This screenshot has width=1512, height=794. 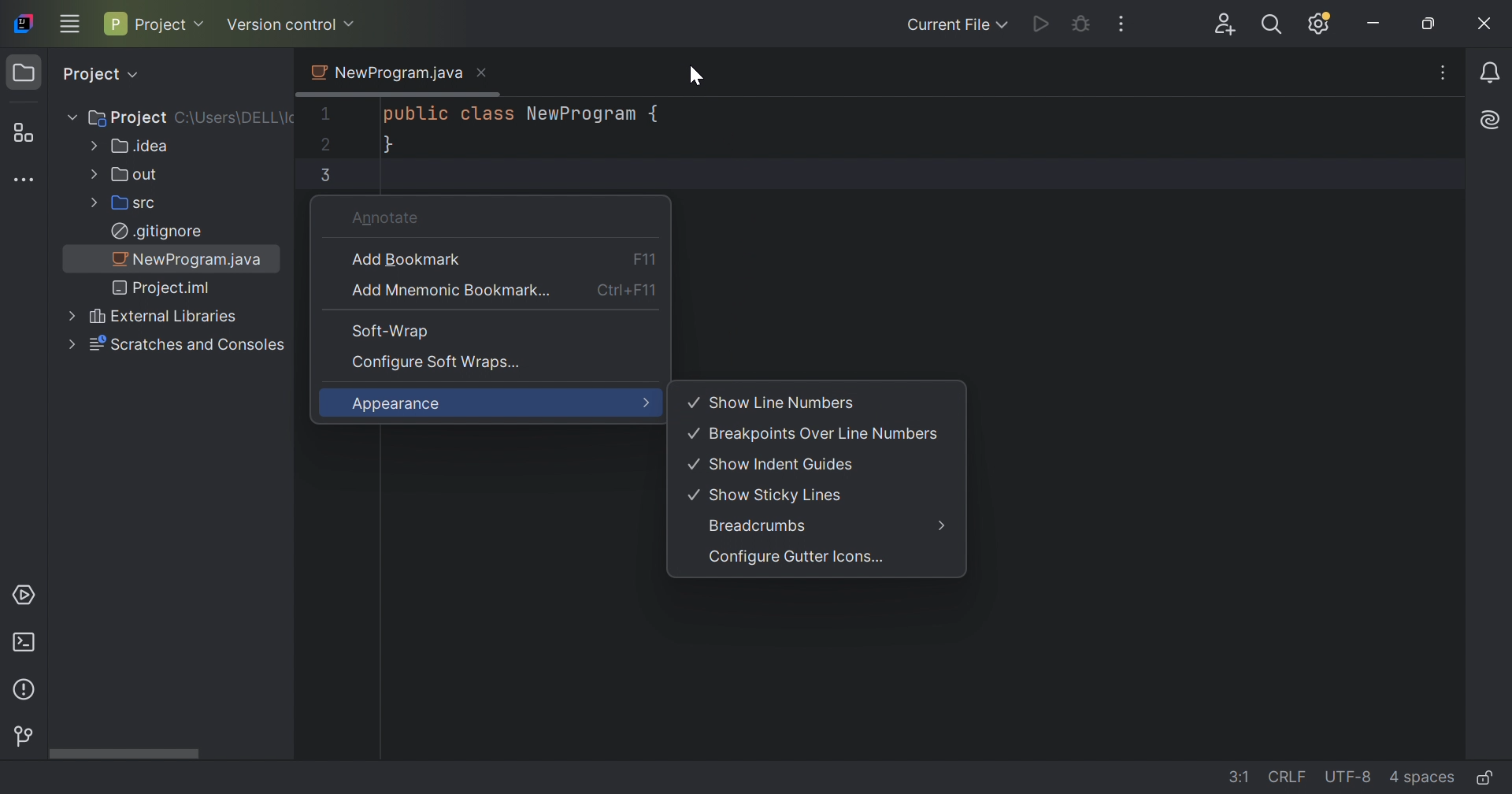 What do you see at coordinates (281, 24) in the screenshot?
I see `Version control` at bounding box center [281, 24].